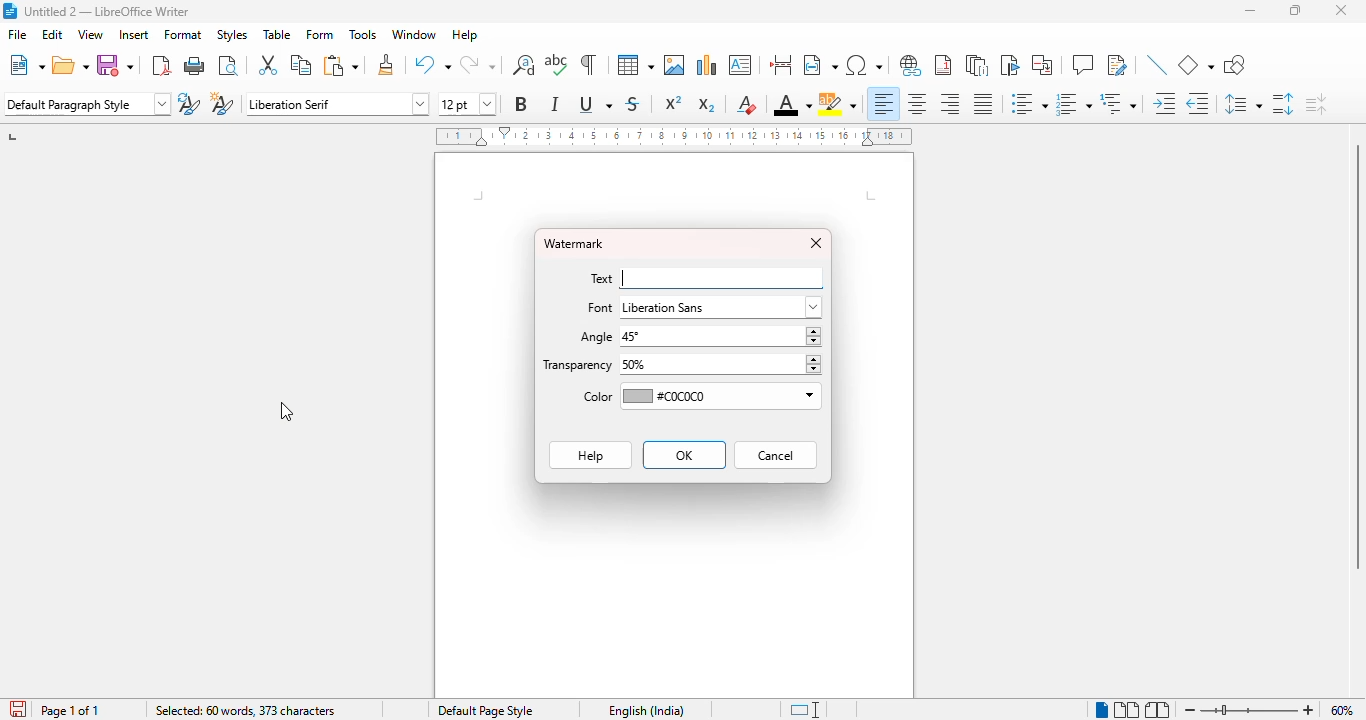 The image size is (1366, 720). I want to click on print, so click(195, 65).